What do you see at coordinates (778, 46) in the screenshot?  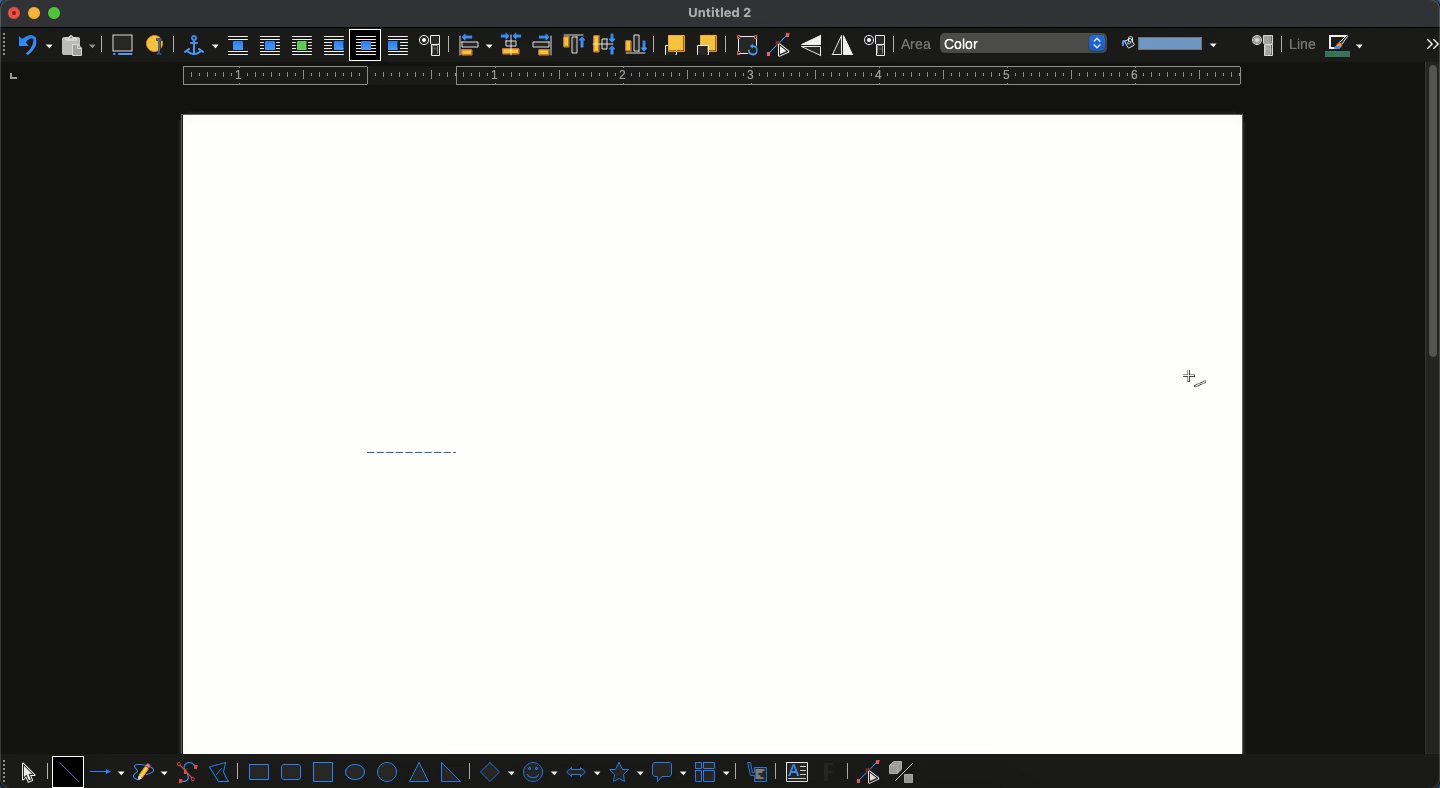 I see `Toggle point edit mode` at bounding box center [778, 46].